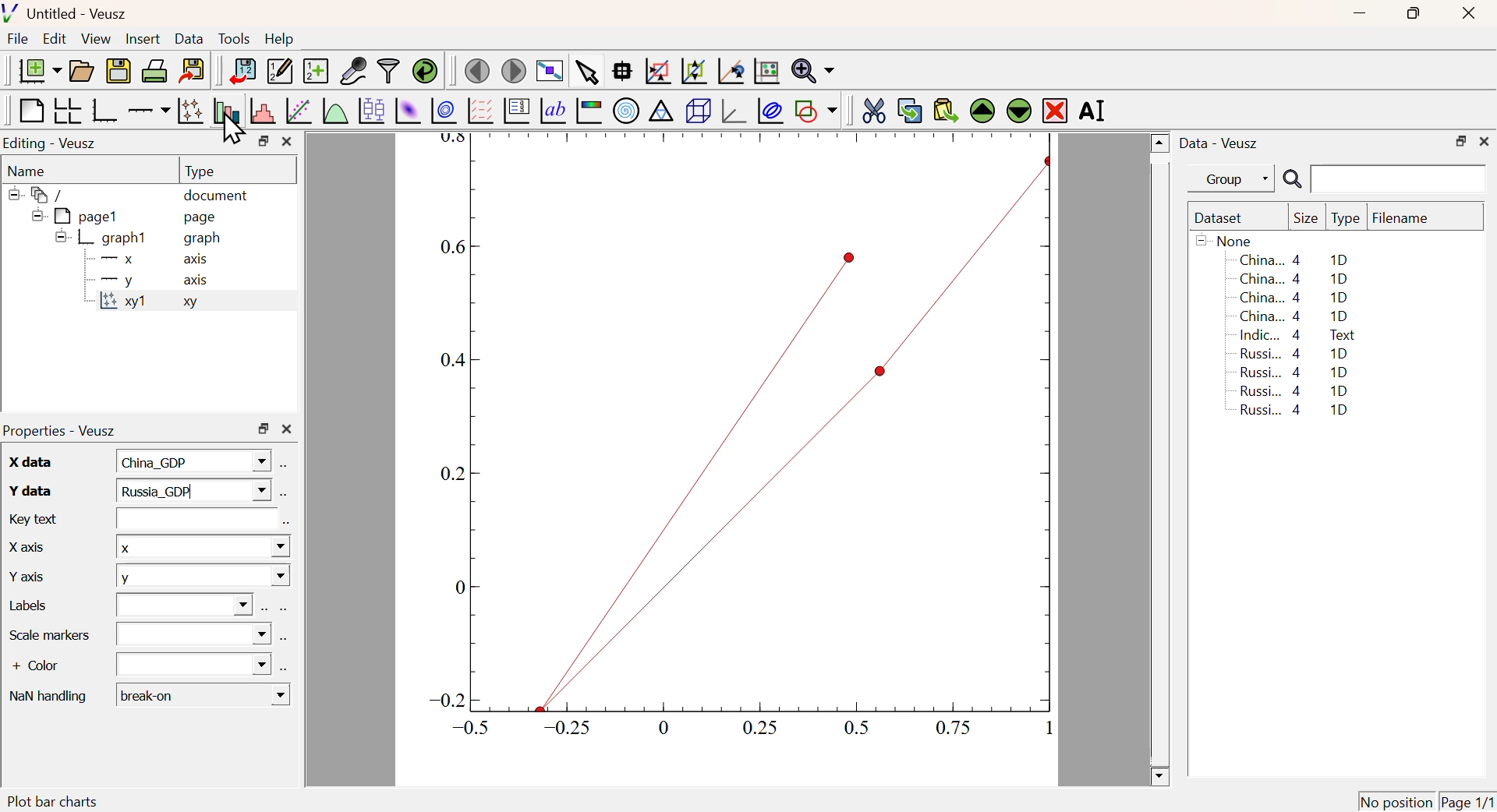 Image resolution: width=1497 pixels, height=812 pixels. Describe the element at coordinates (770, 112) in the screenshot. I see `Plot Covariance Ellipses` at that location.